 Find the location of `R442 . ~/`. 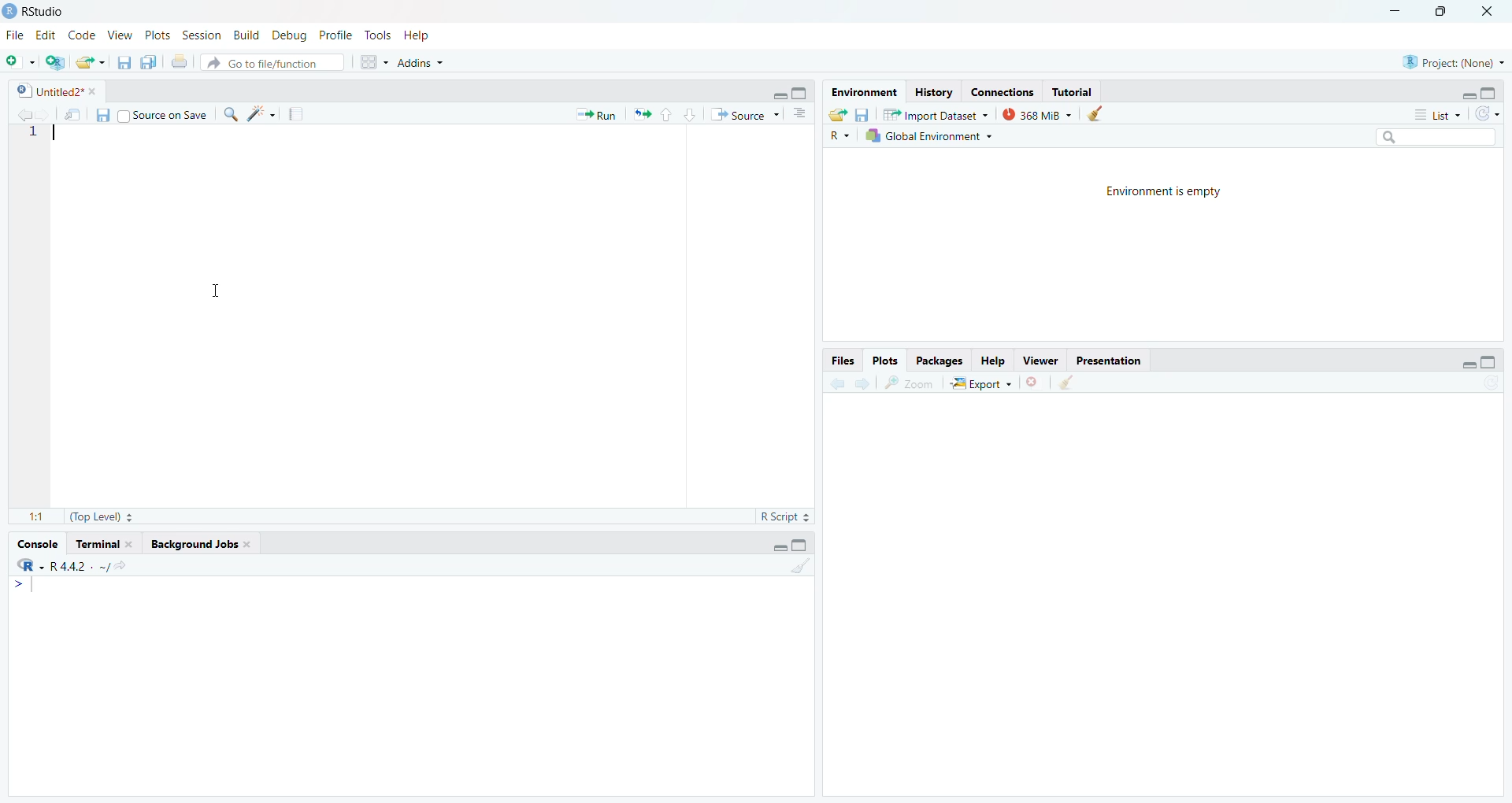

R442 . ~/ is located at coordinates (63, 565).